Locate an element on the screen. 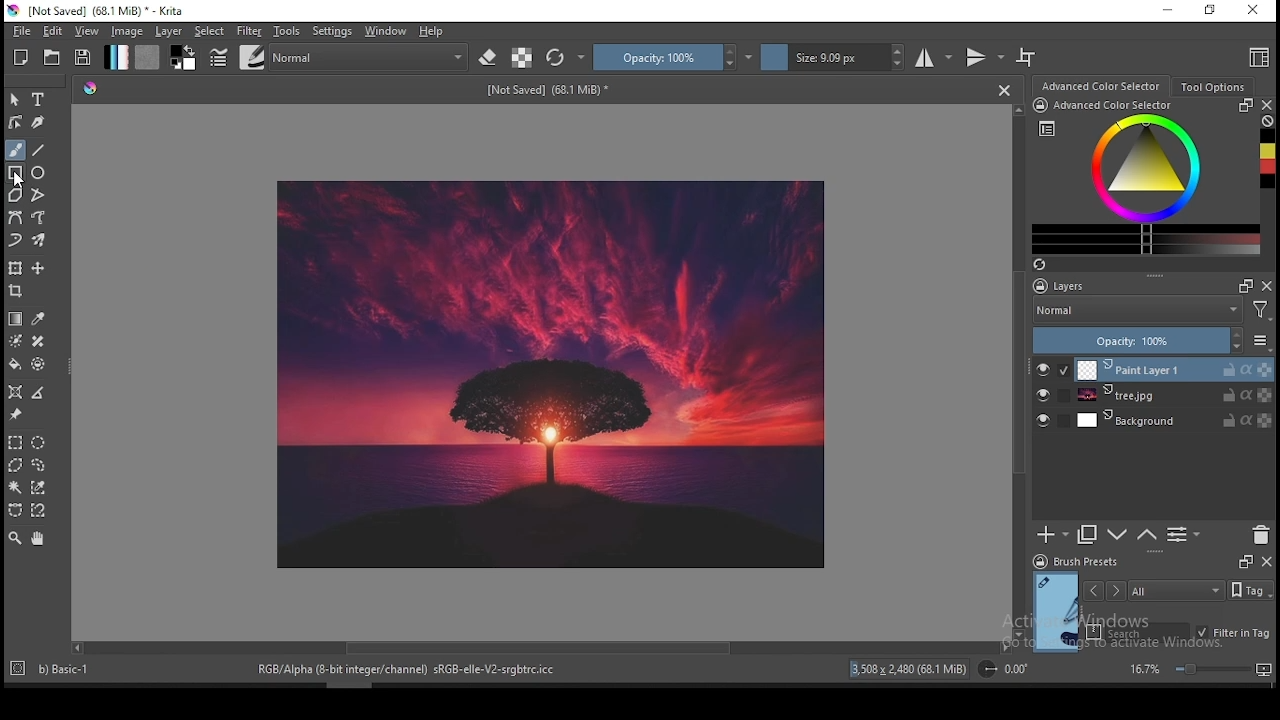 The height and width of the screenshot is (720, 1280). delete layer is located at coordinates (1262, 535).